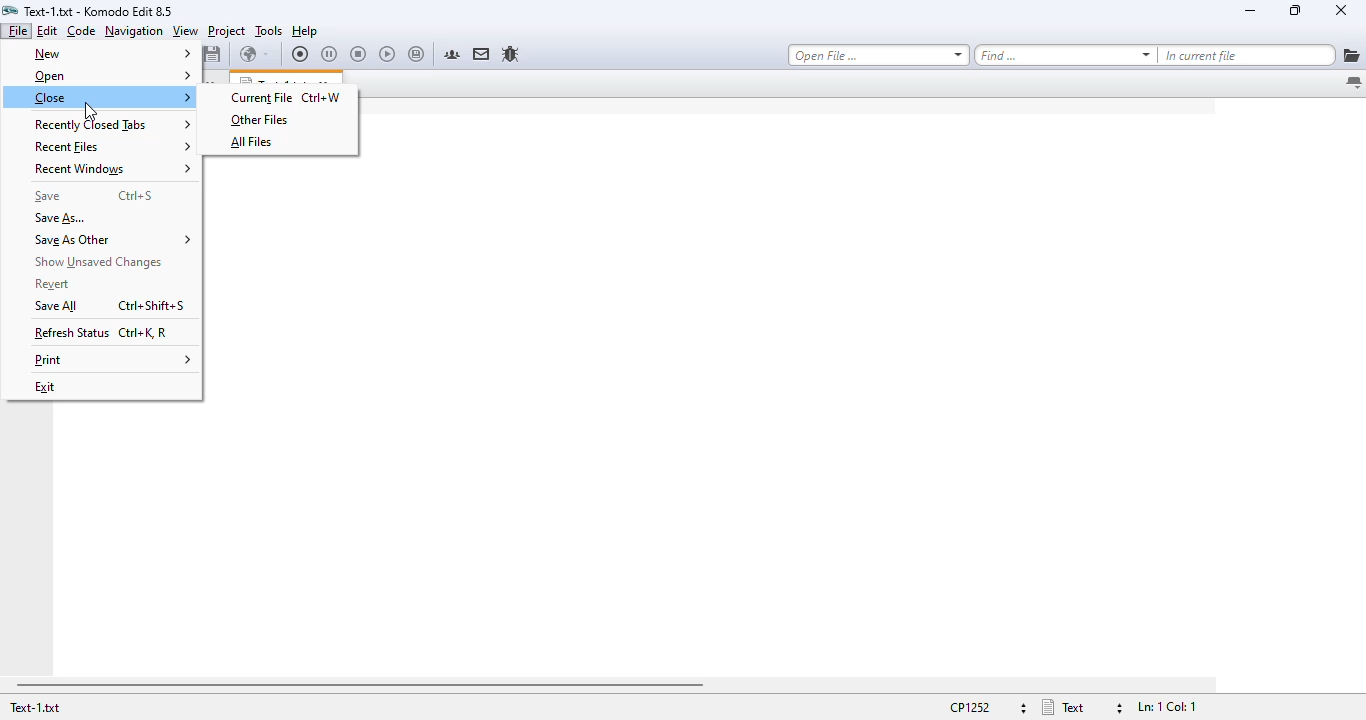 The width and height of the screenshot is (1366, 720). I want to click on file encoding, so click(985, 707).